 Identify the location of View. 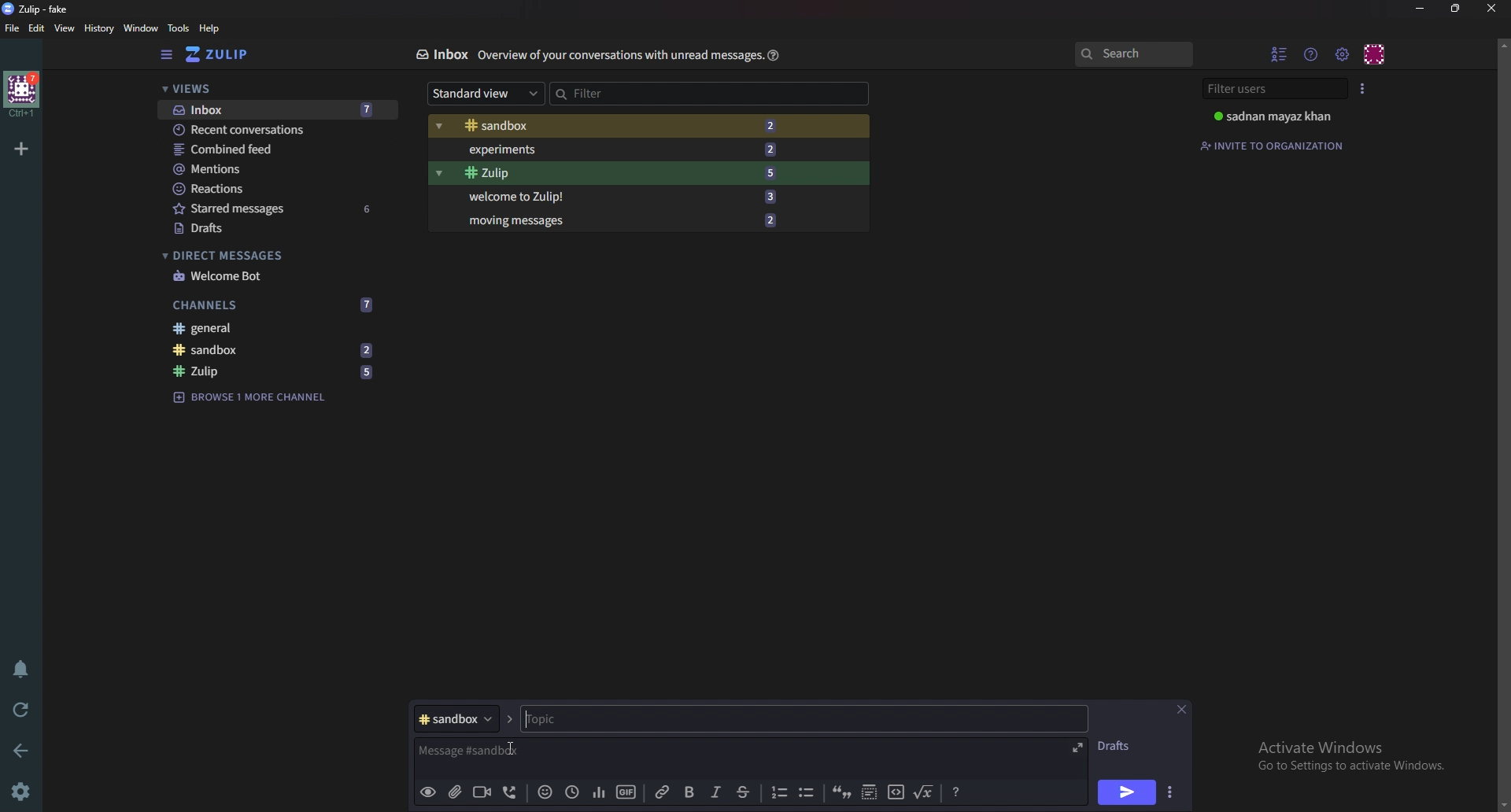
(65, 29).